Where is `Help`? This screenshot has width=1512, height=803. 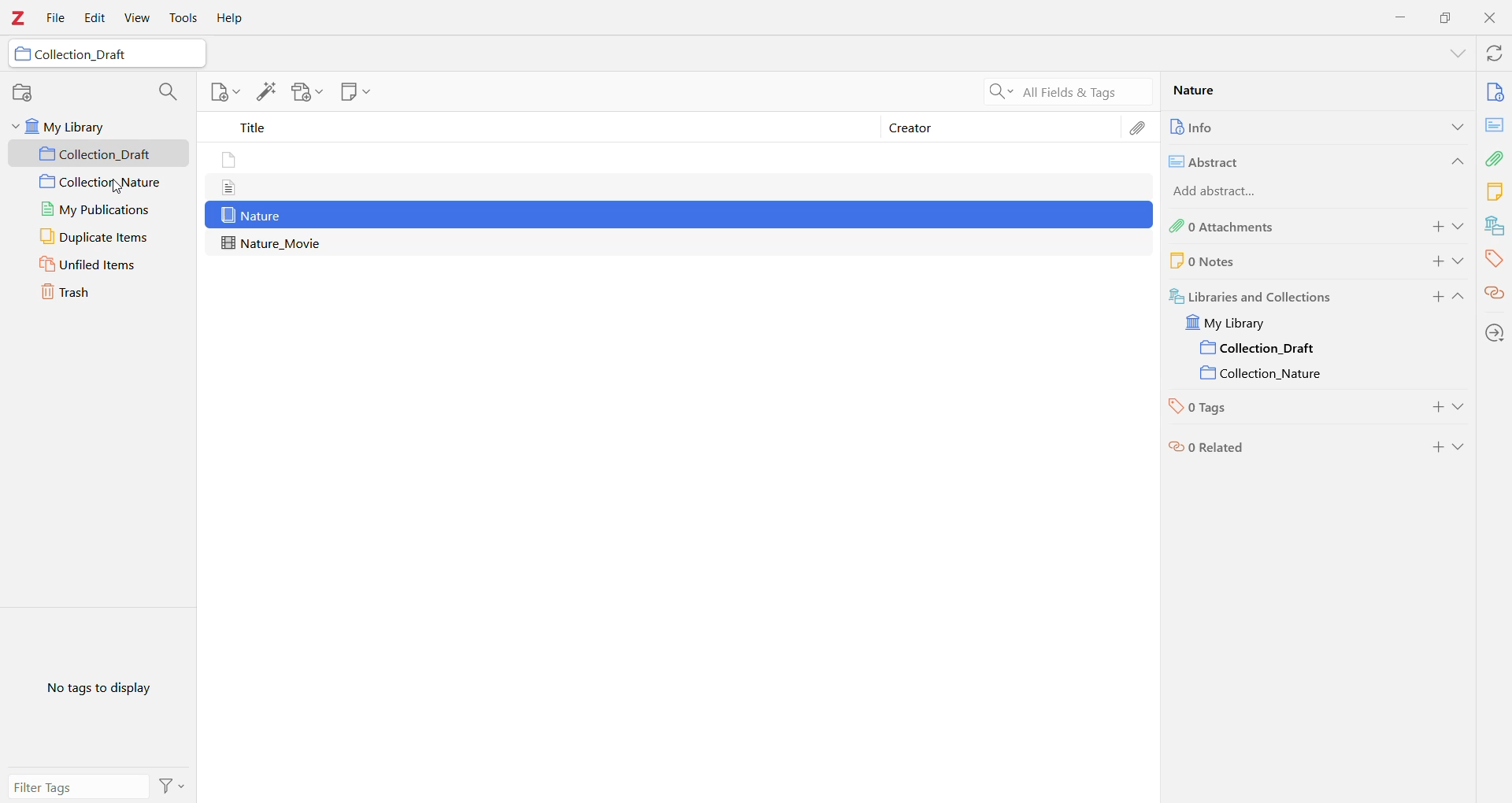 Help is located at coordinates (234, 18).